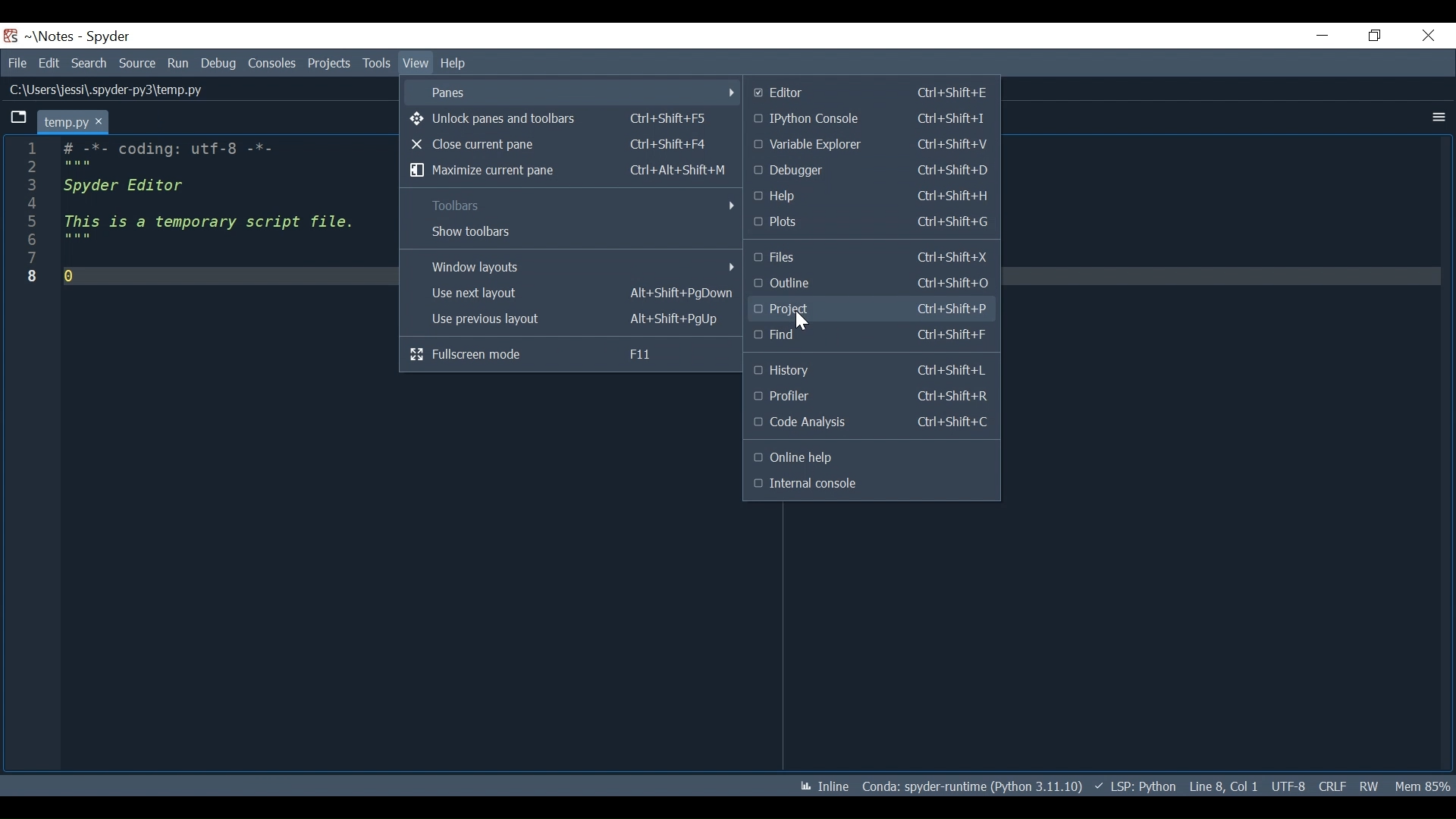 This screenshot has width=1456, height=819. Describe the element at coordinates (1287, 787) in the screenshot. I see `UTF-8` at that location.